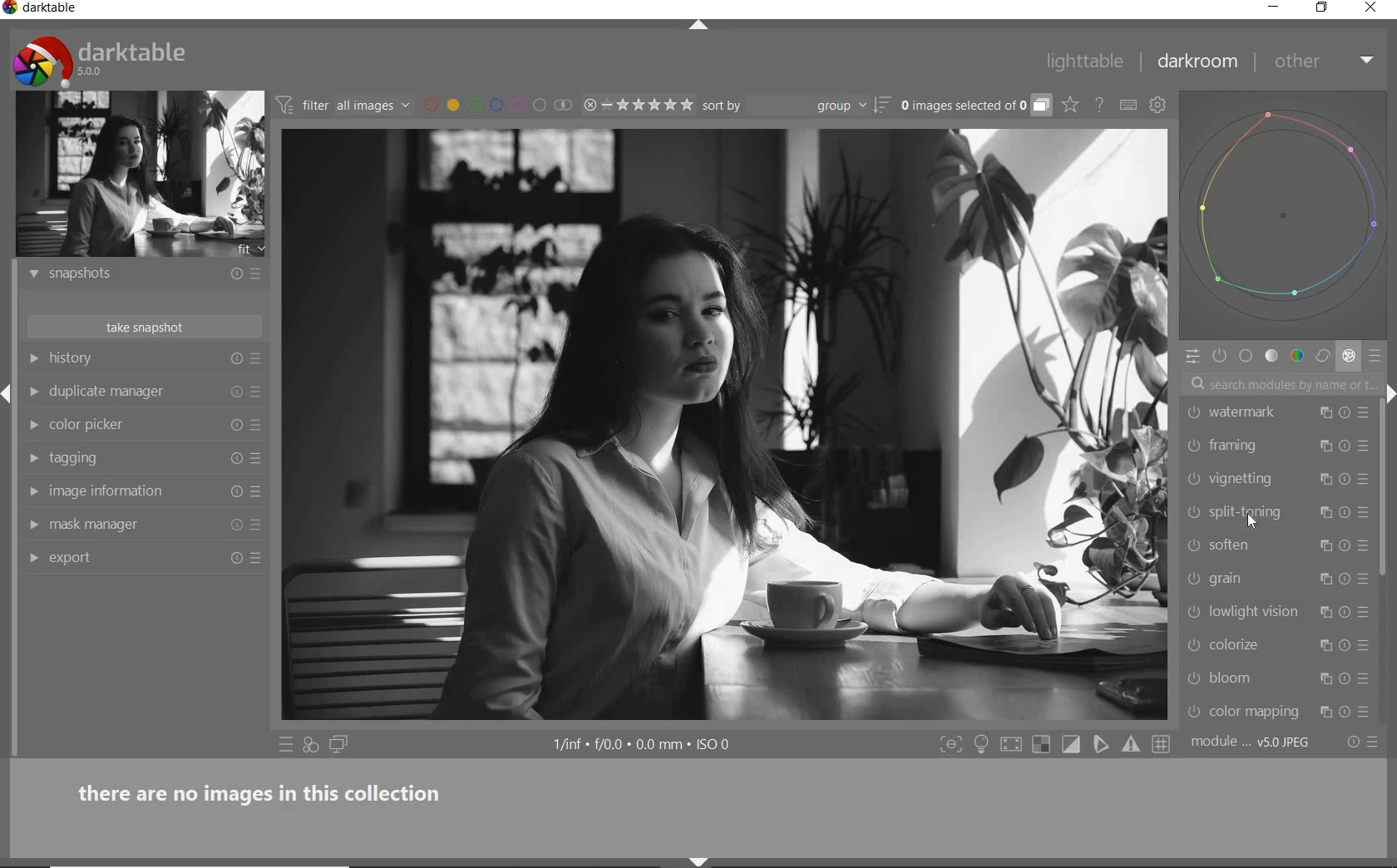 The image size is (1397, 868). Describe the element at coordinates (1258, 579) in the screenshot. I see `grain` at that location.